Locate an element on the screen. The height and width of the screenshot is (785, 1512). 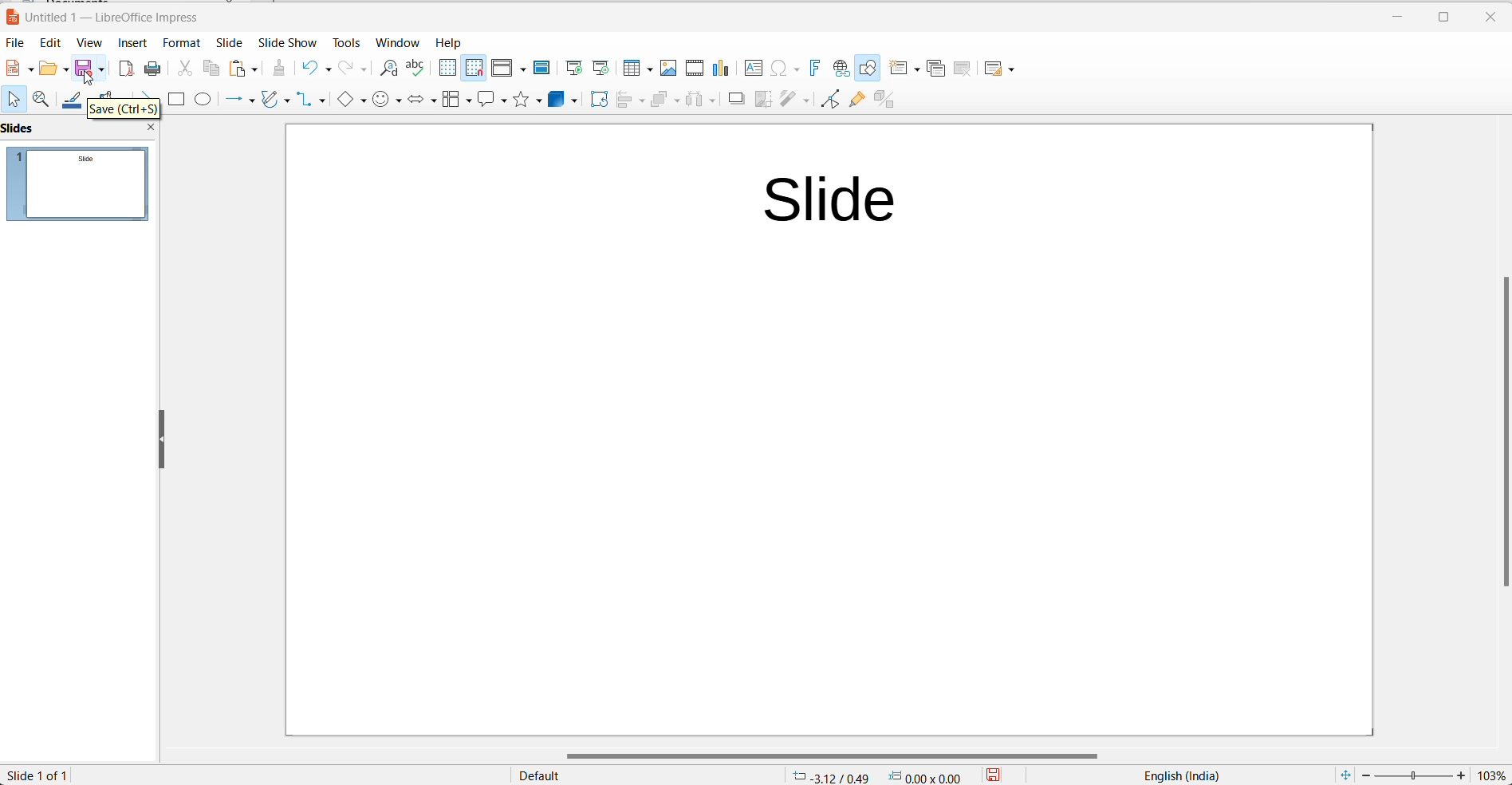
Cut is located at coordinates (178, 69).